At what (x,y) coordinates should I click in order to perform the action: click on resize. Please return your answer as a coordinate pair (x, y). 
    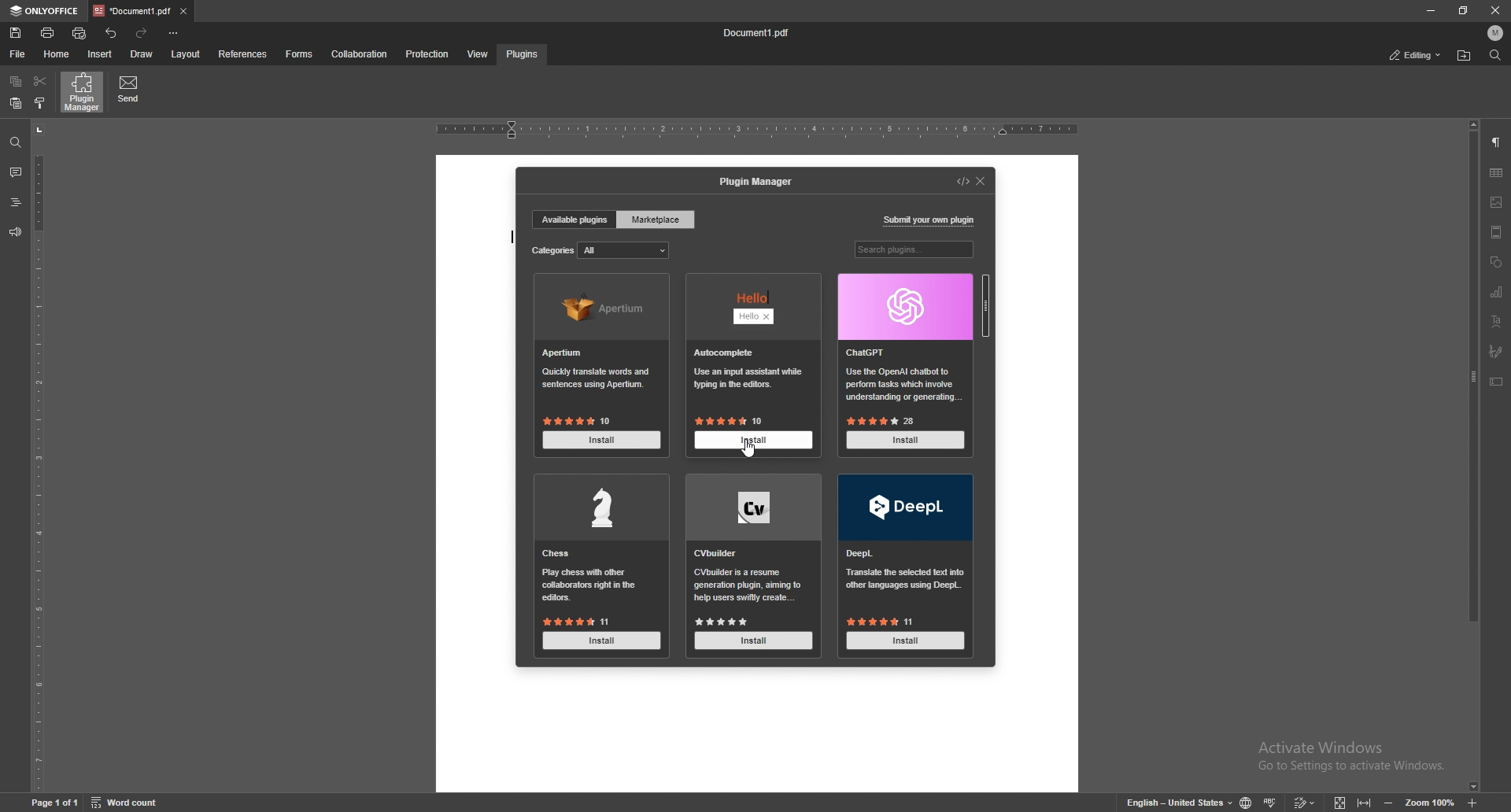
    Looking at the image, I should click on (1463, 10).